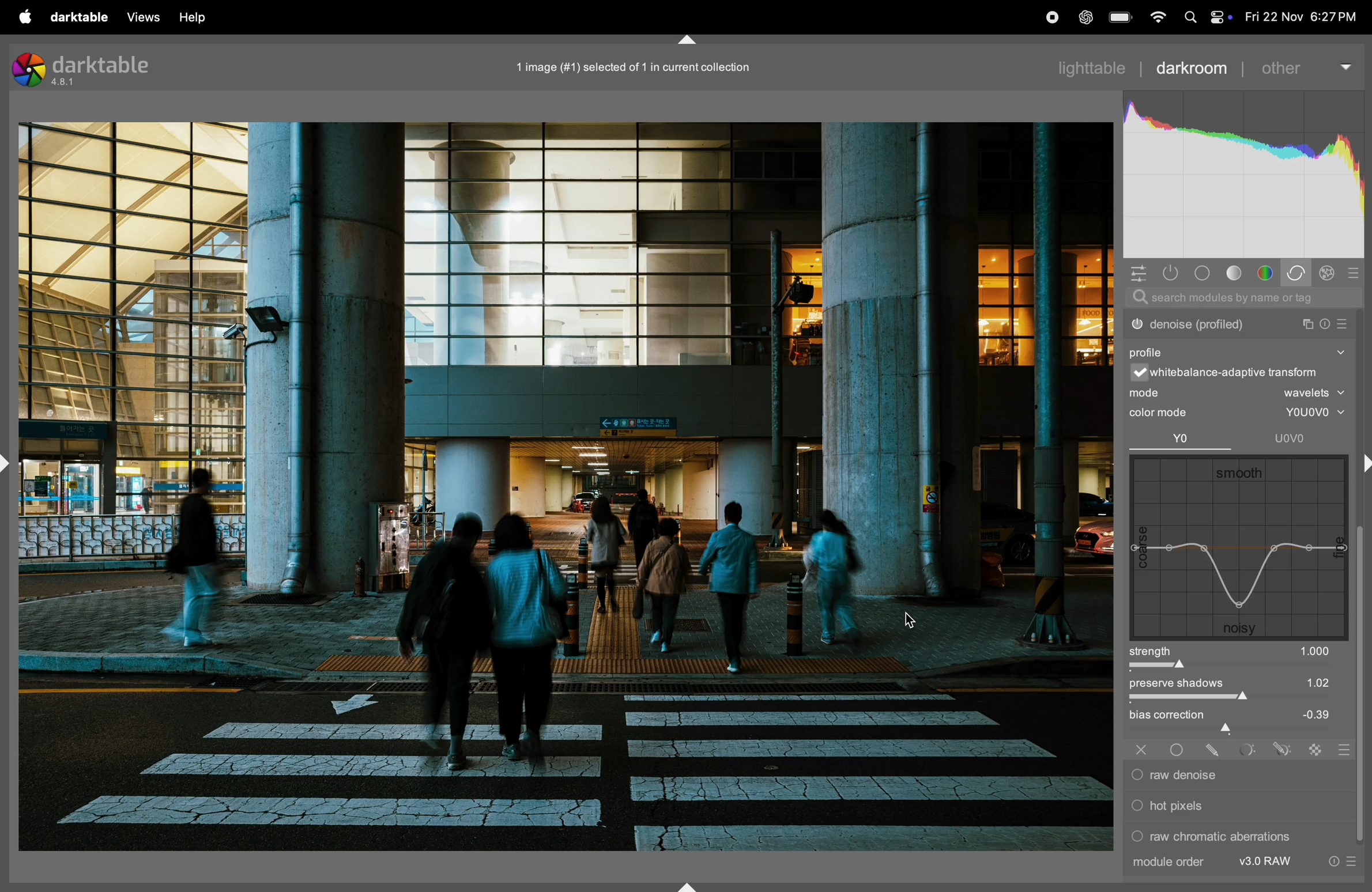  Describe the element at coordinates (1303, 66) in the screenshot. I see `other` at that location.